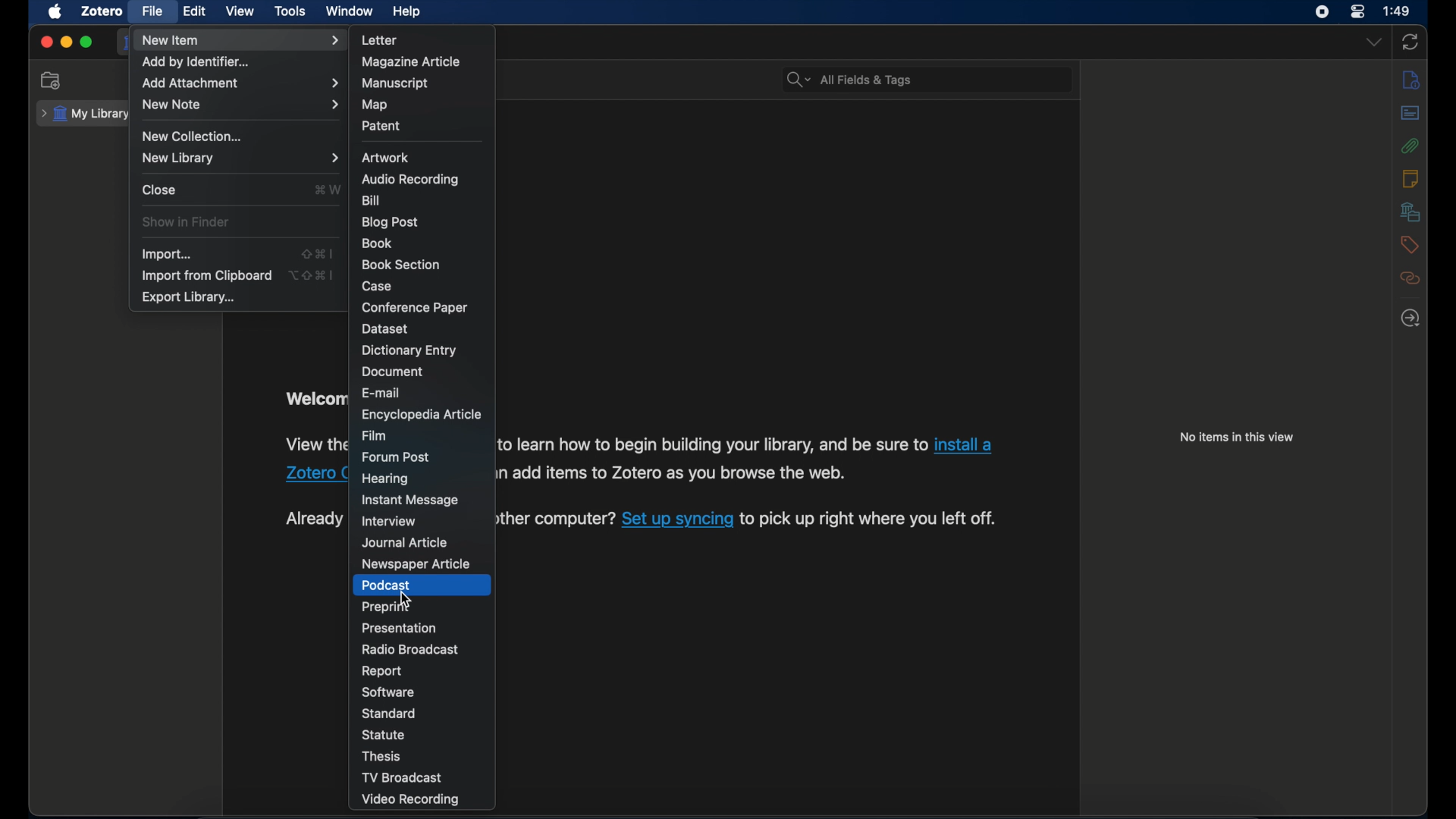 This screenshot has height=819, width=1456. I want to click on close, so click(159, 189).